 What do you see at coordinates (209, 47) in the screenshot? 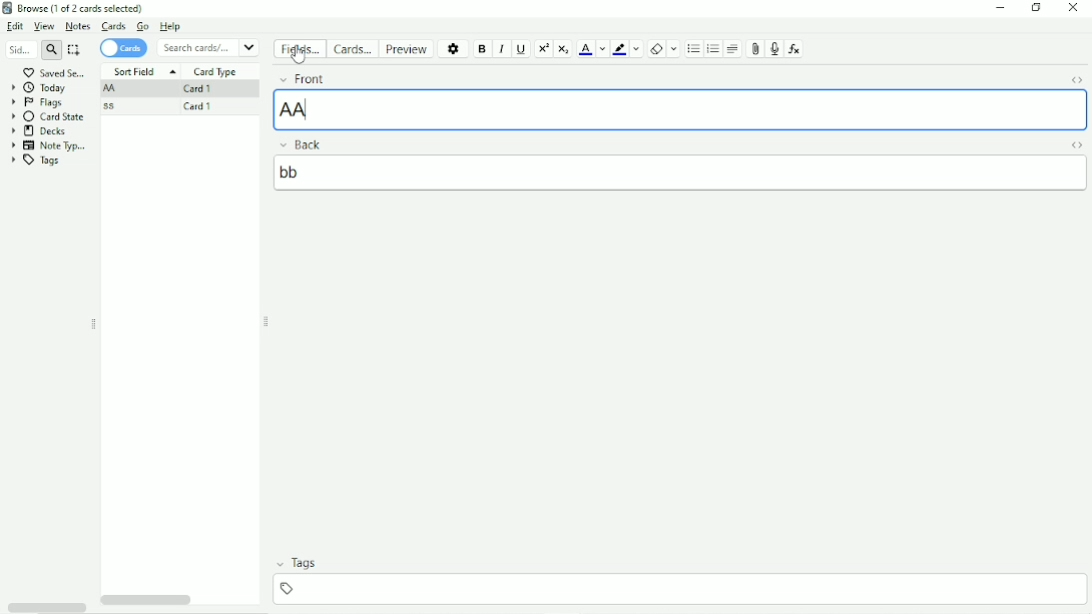
I see `Search cards` at bounding box center [209, 47].